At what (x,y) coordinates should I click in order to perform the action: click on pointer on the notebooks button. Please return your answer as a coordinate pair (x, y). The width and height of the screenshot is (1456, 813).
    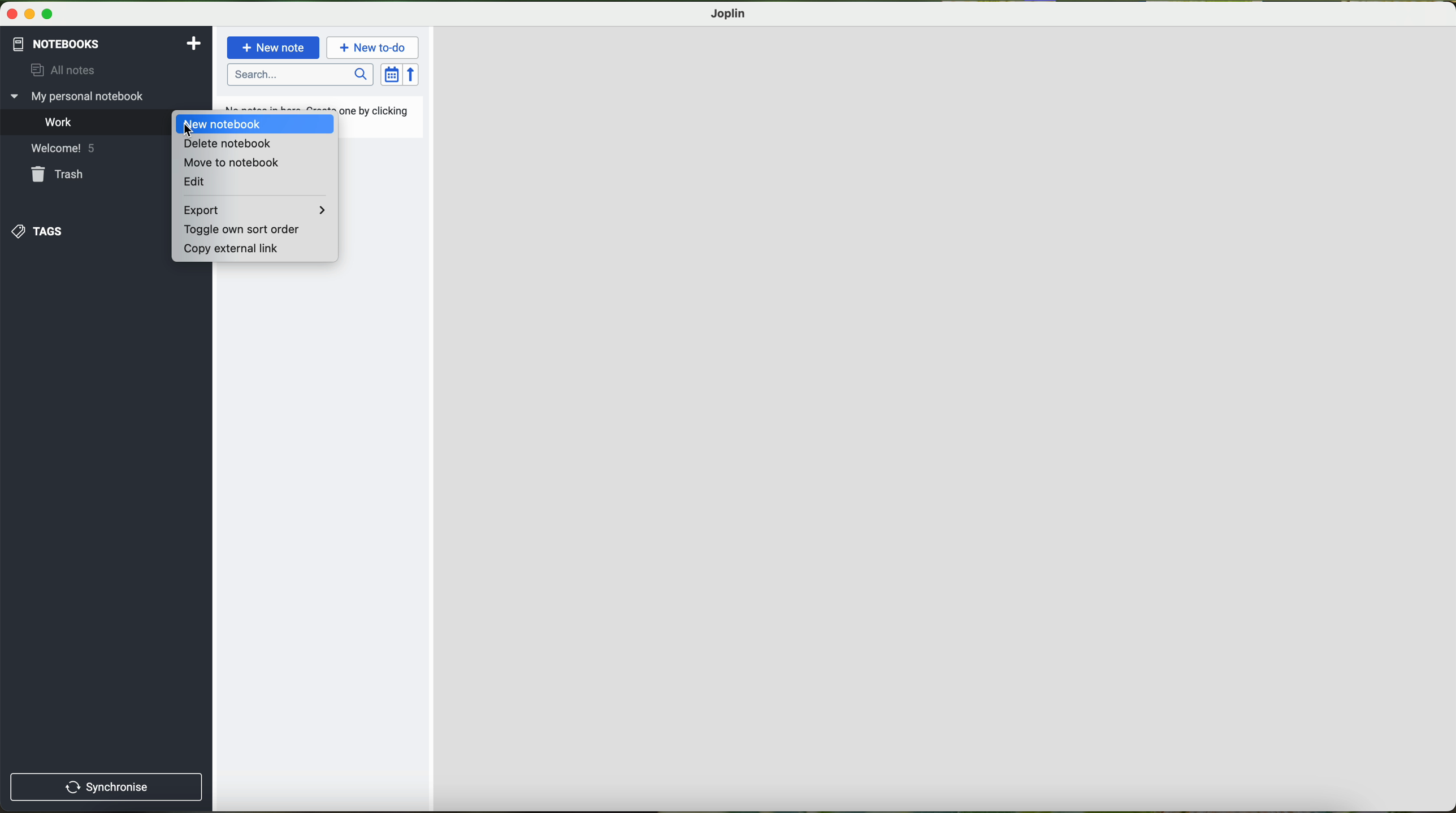
    Looking at the image, I should click on (75, 44).